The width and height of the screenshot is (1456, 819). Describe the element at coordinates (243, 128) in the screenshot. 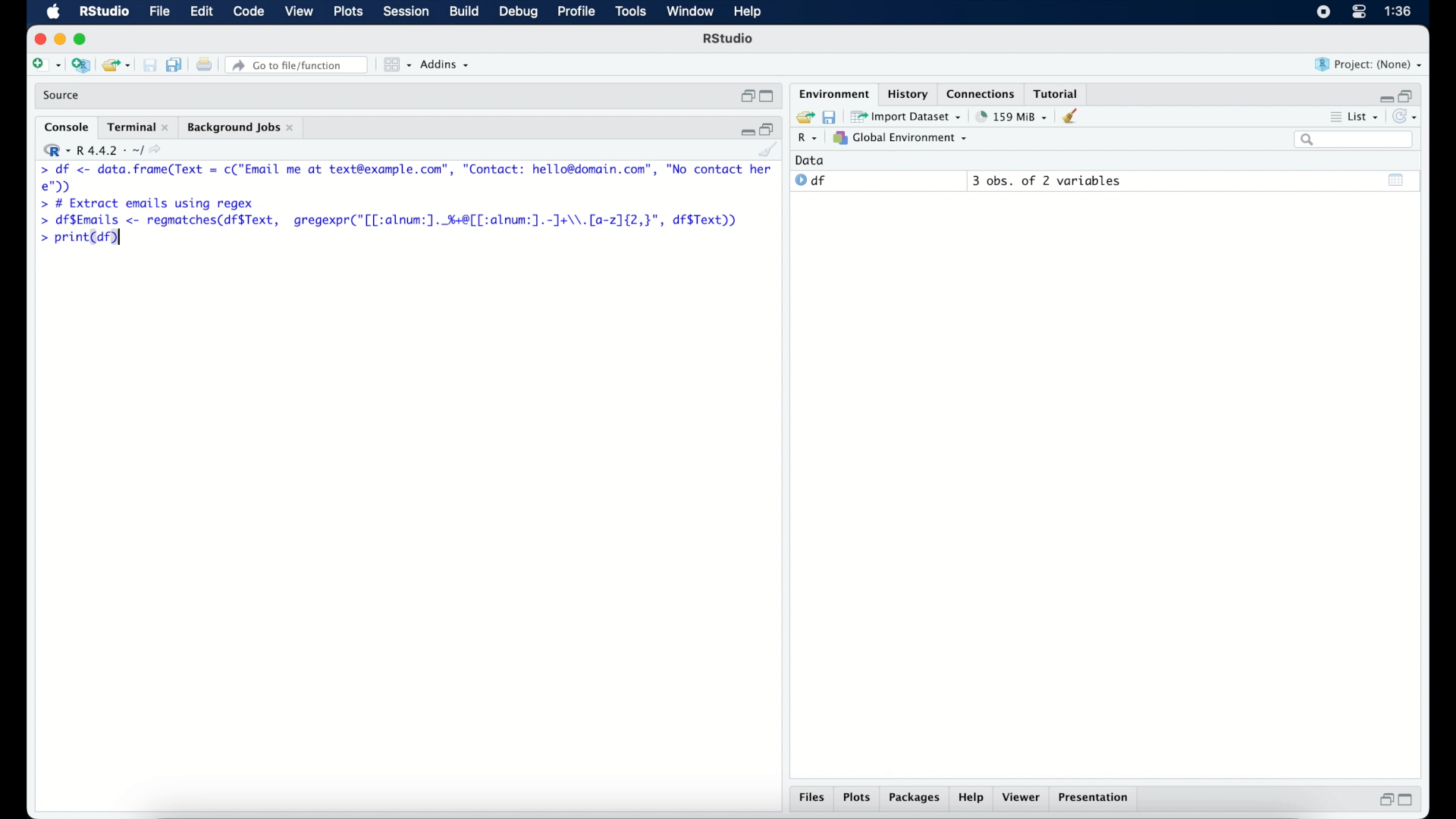

I see `background jobs` at that location.